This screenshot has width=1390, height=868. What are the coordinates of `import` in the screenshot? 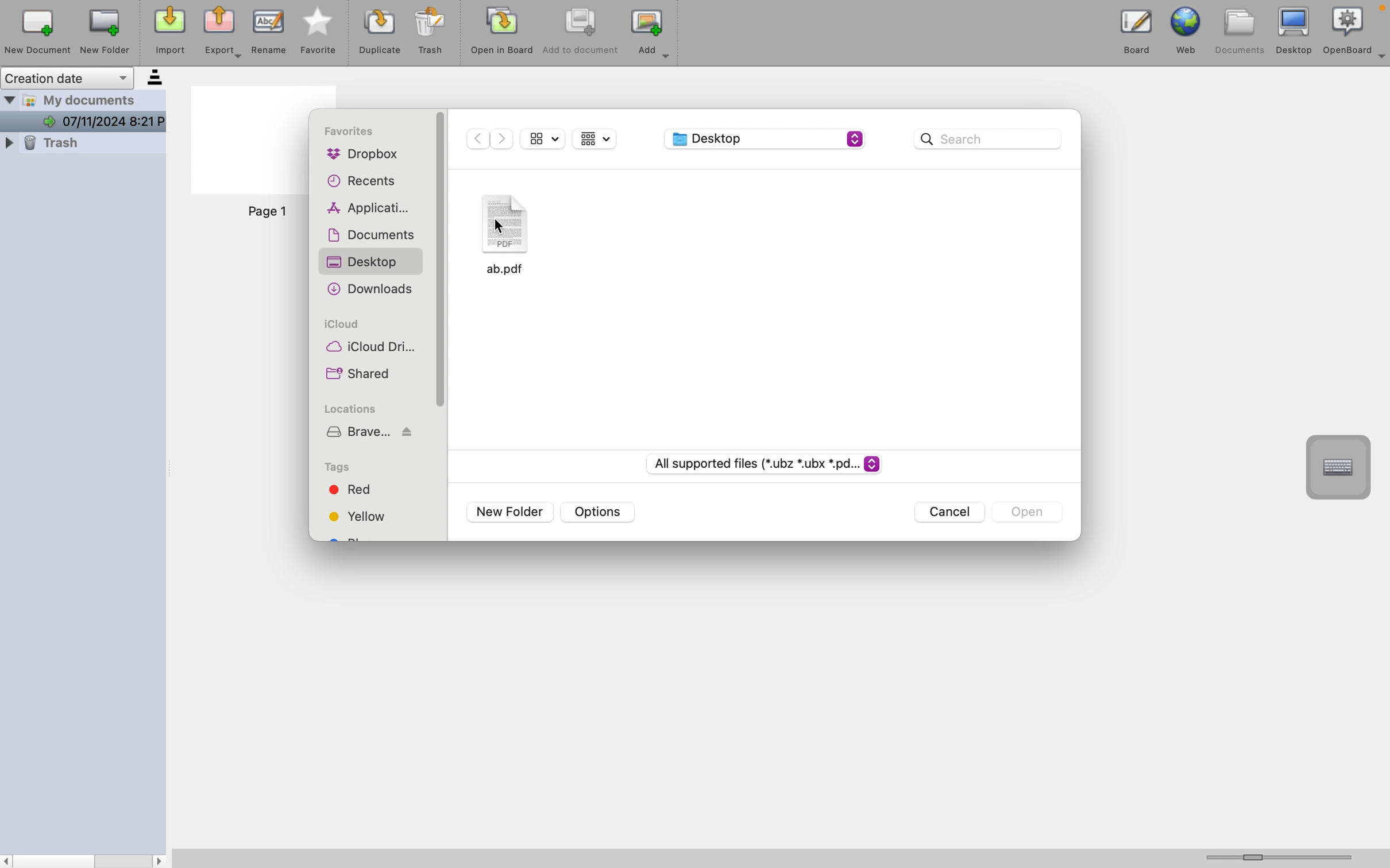 It's located at (167, 30).